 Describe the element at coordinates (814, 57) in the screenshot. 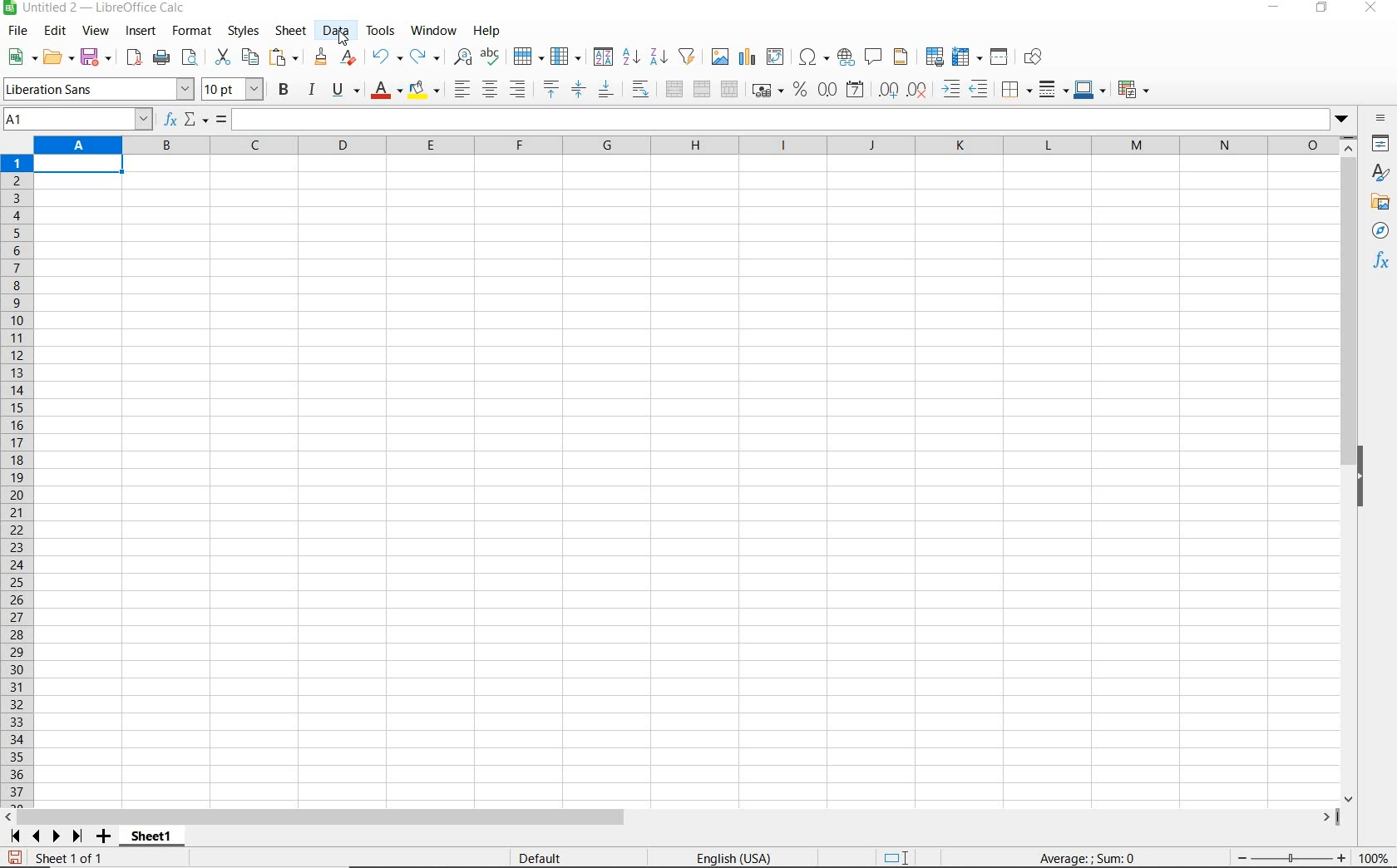

I see `insert special characters` at that location.